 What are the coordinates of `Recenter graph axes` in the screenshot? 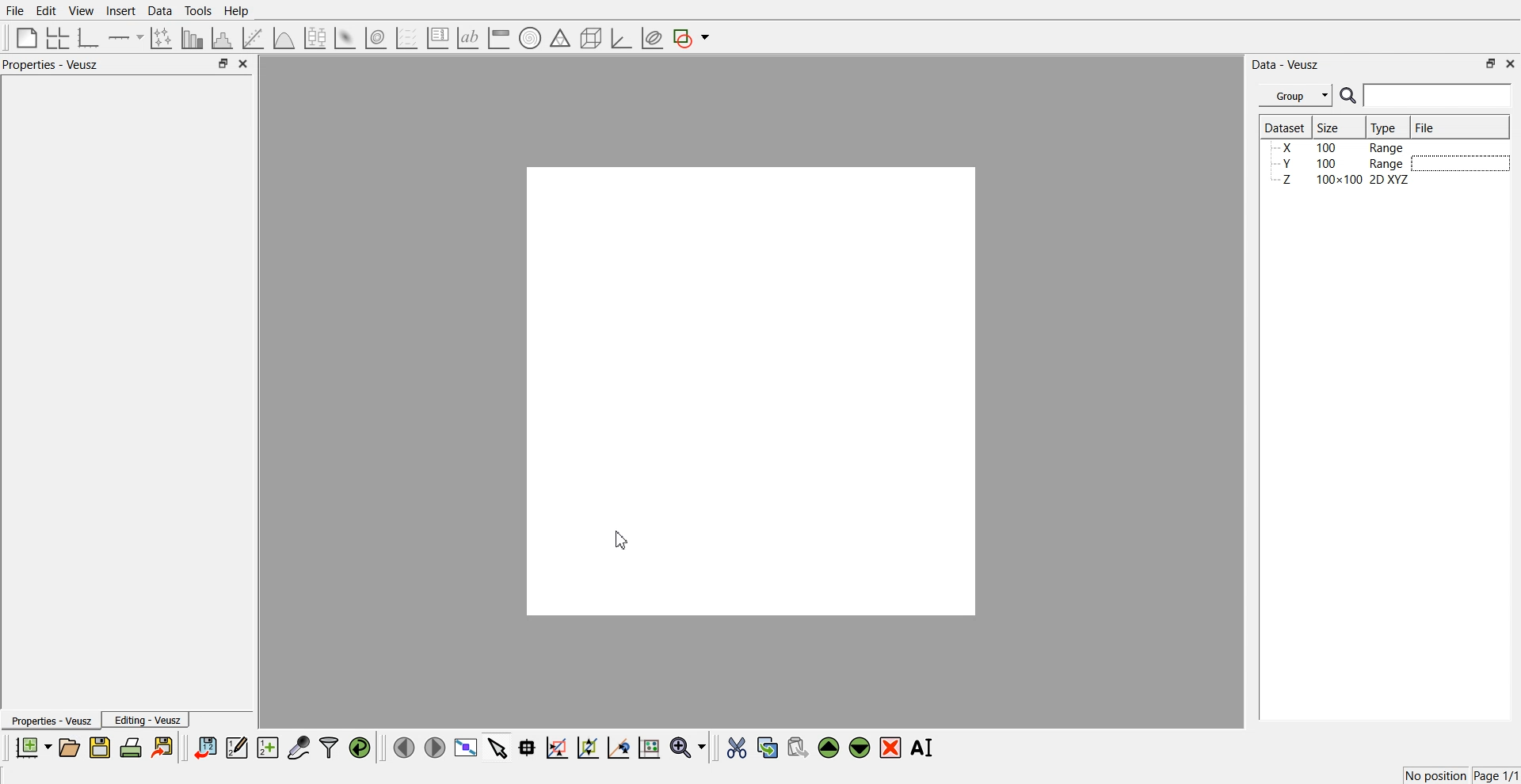 It's located at (619, 747).